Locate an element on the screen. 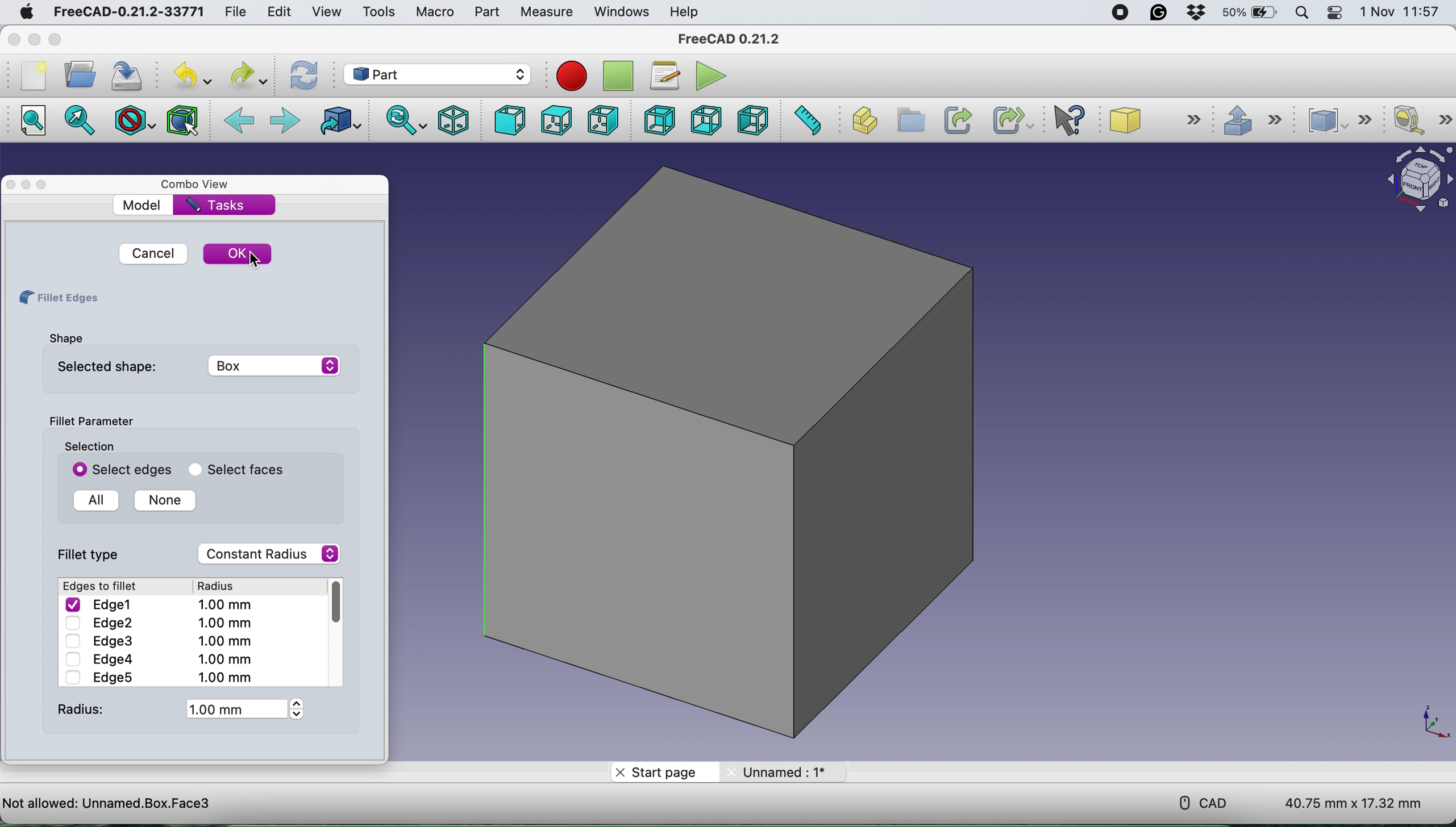 The height and width of the screenshot is (827, 1456). Edge1 is located at coordinates (161, 604).